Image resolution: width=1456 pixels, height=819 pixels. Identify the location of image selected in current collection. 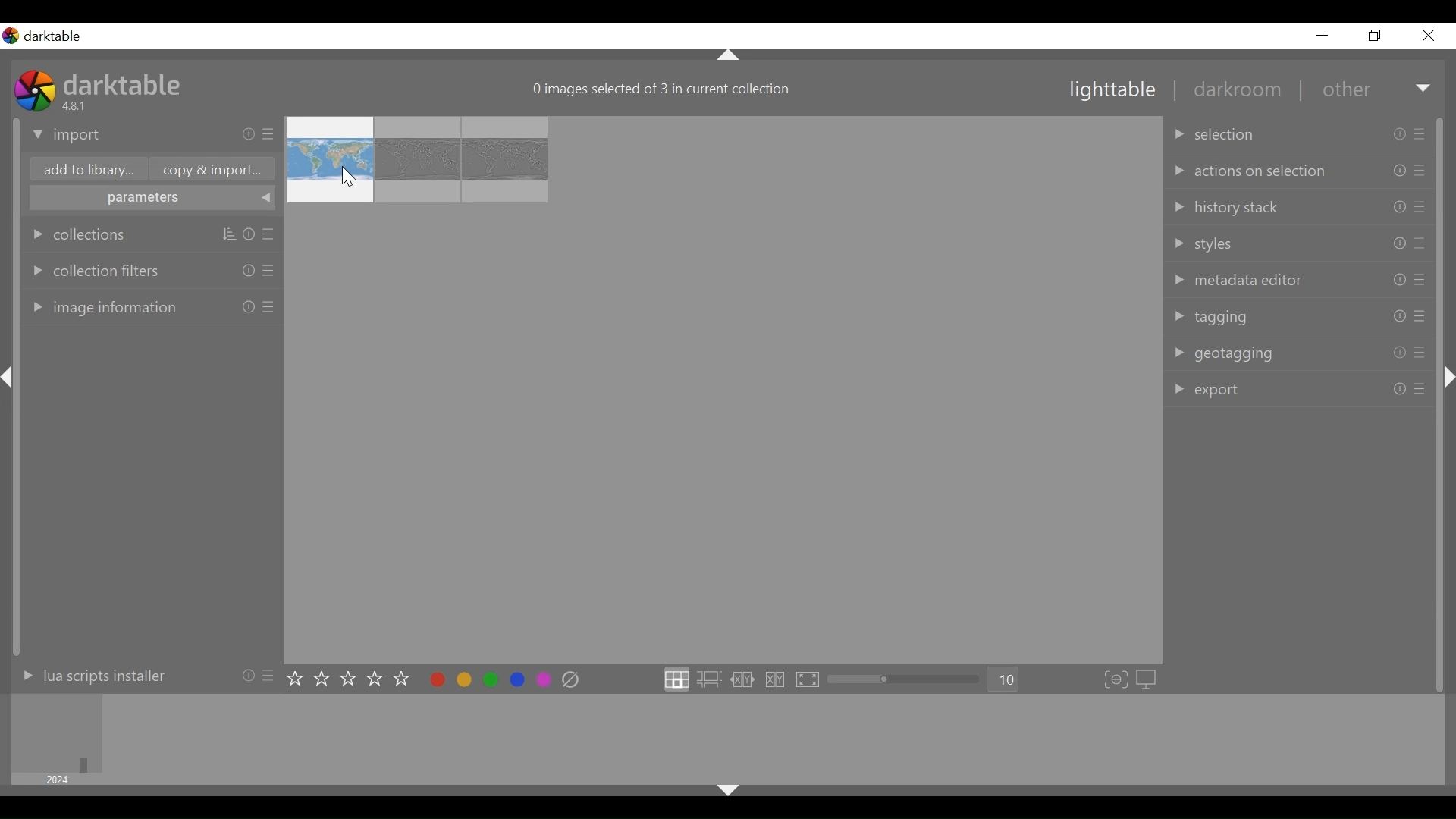
(663, 86).